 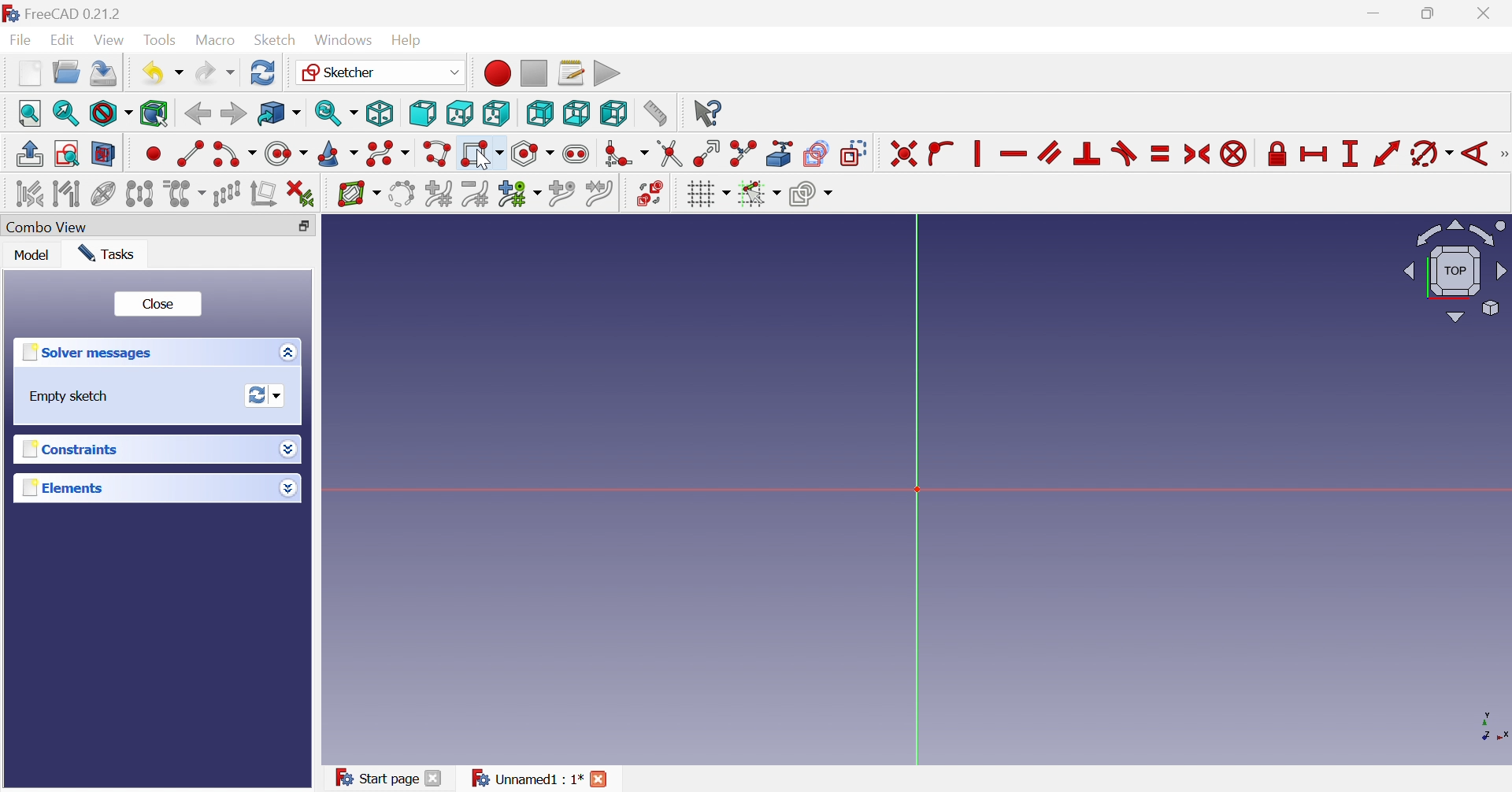 What do you see at coordinates (1161, 154) in the screenshot?
I see `Constrain equal` at bounding box center [1161, 154].